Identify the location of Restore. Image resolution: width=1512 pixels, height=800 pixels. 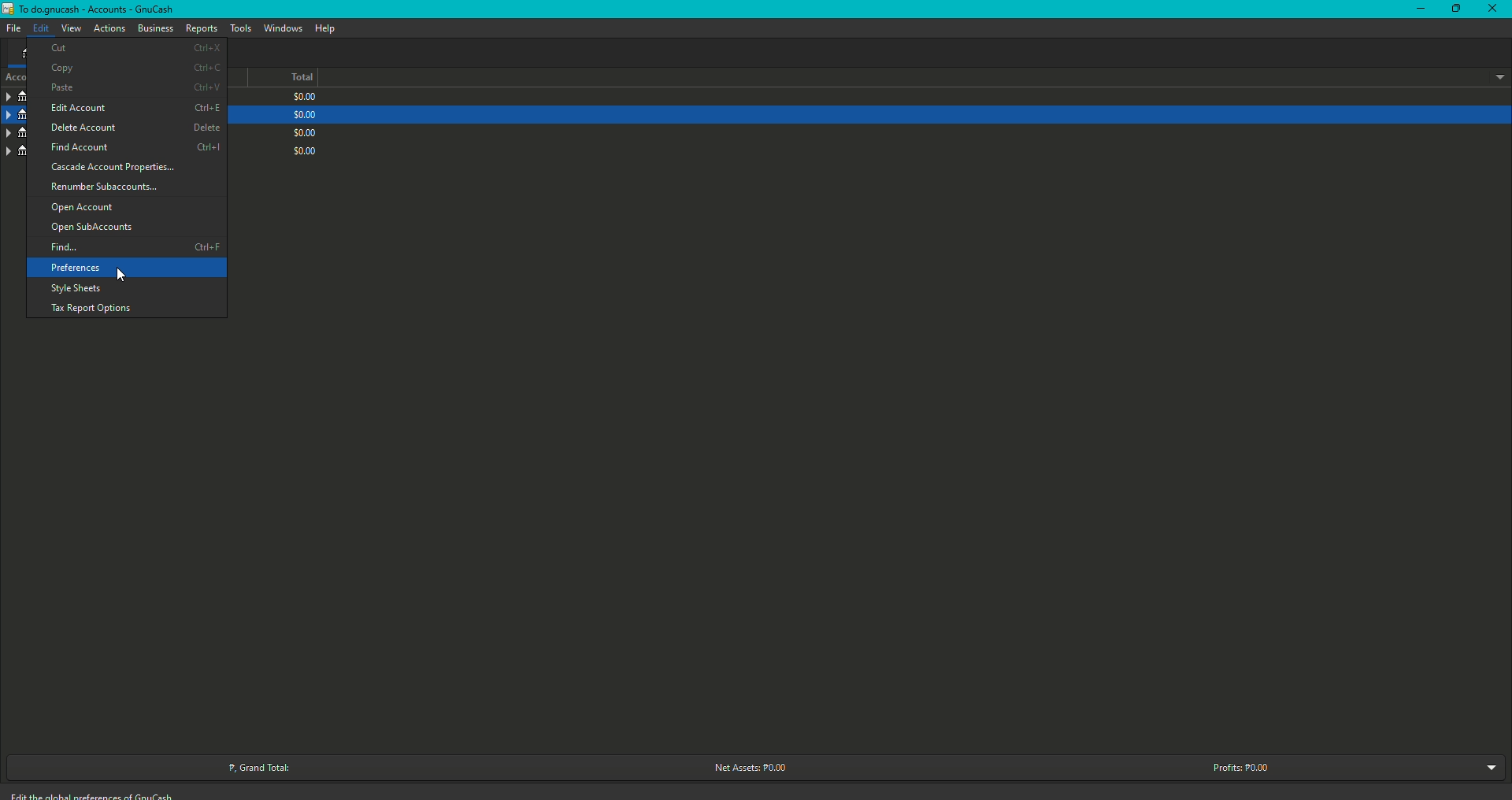
(1455, 9).